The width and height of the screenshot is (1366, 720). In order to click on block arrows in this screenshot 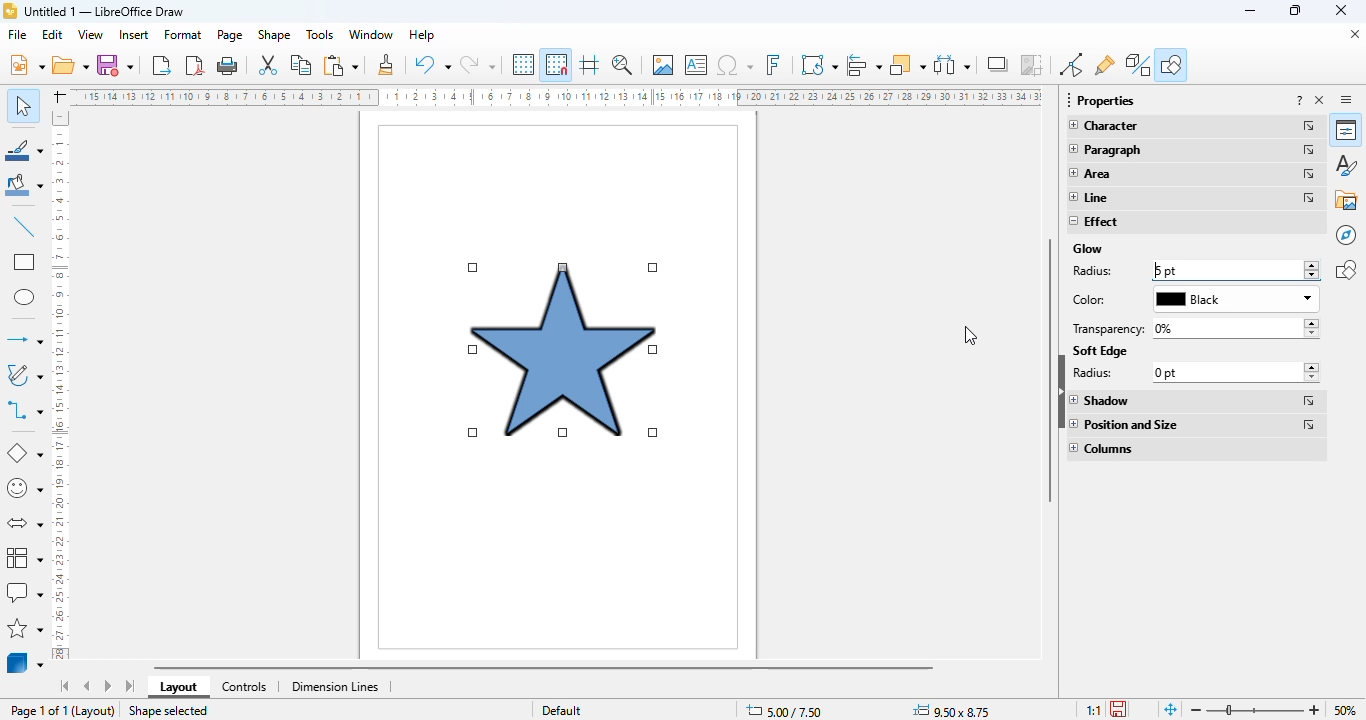, I will do `click(23, 524)`.